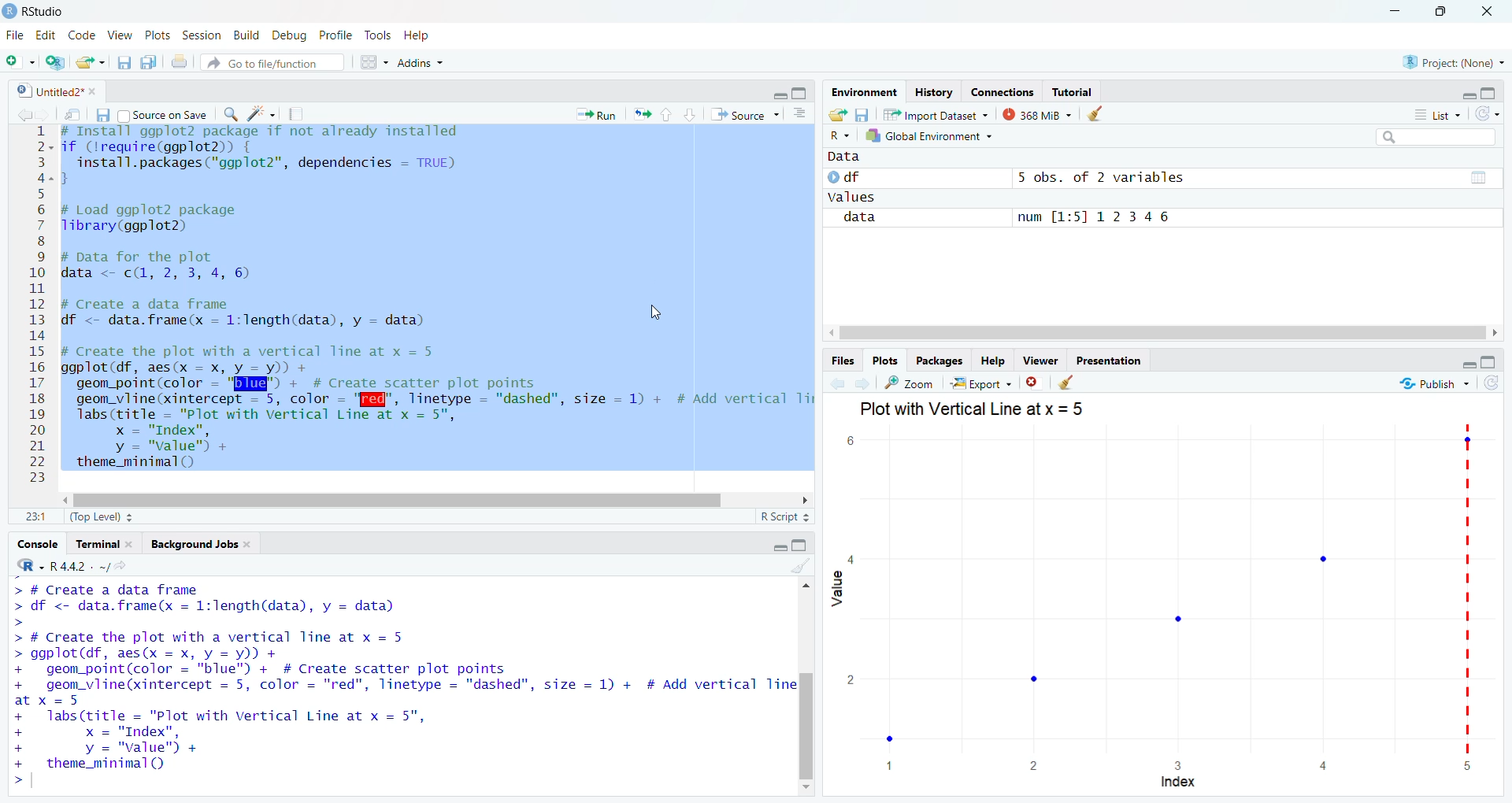 Image resolution: width=1512 pixels, height=803 pixels. What do you see at coordinates (1042, 361) in the screenshot?
I see `viewer` at bounding box center [1042, 361].